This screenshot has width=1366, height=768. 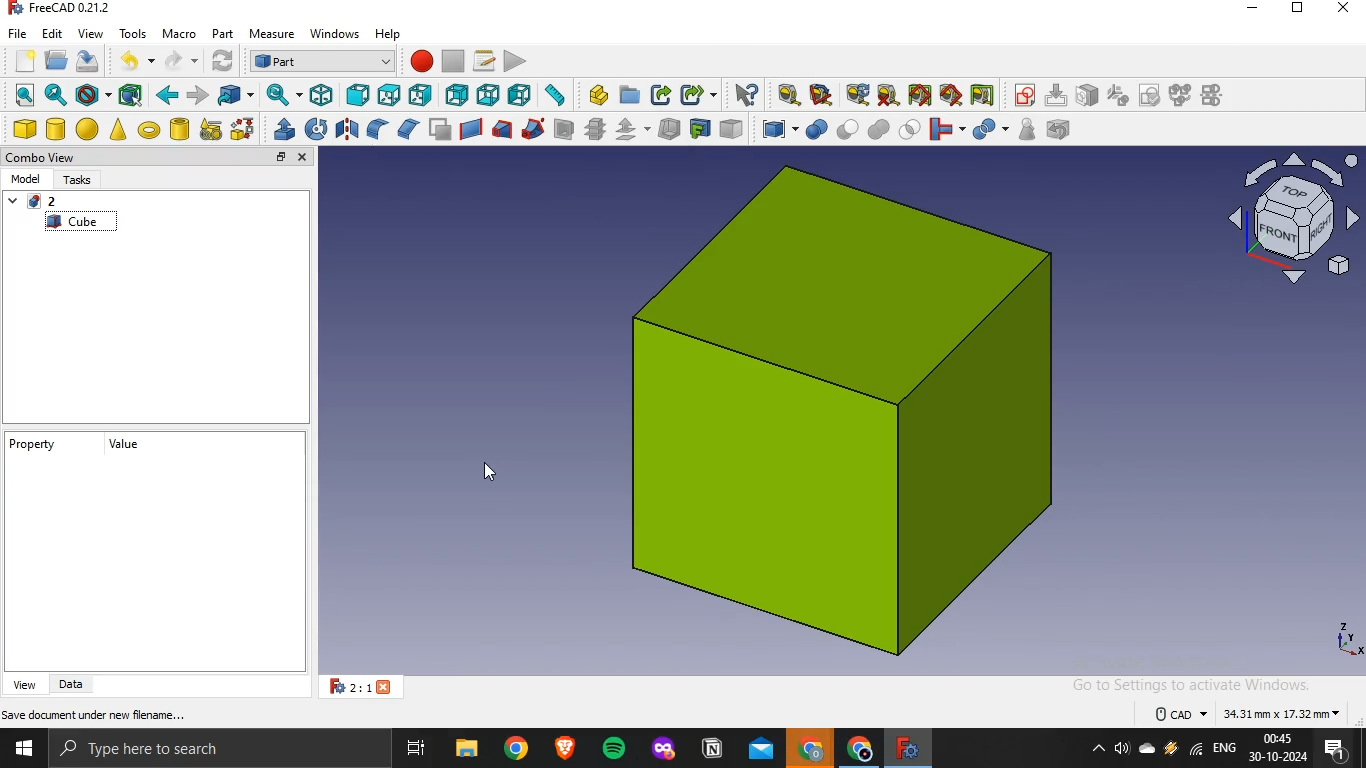 I want to click on sync view, so click(x=283, y=94).